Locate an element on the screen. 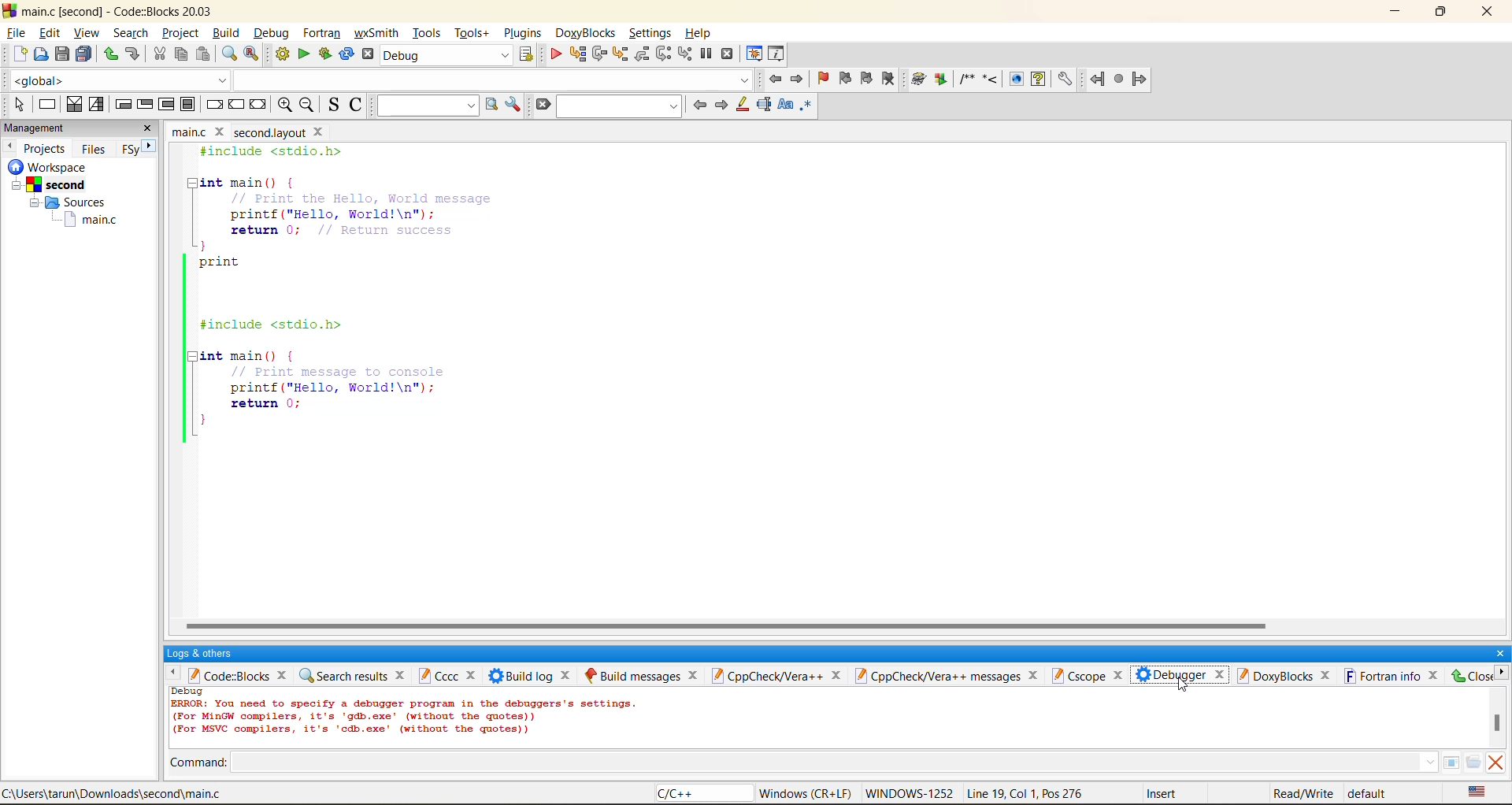 This screenshot has width=1512, height=805. block instruction is located at coordinates (185, 104).